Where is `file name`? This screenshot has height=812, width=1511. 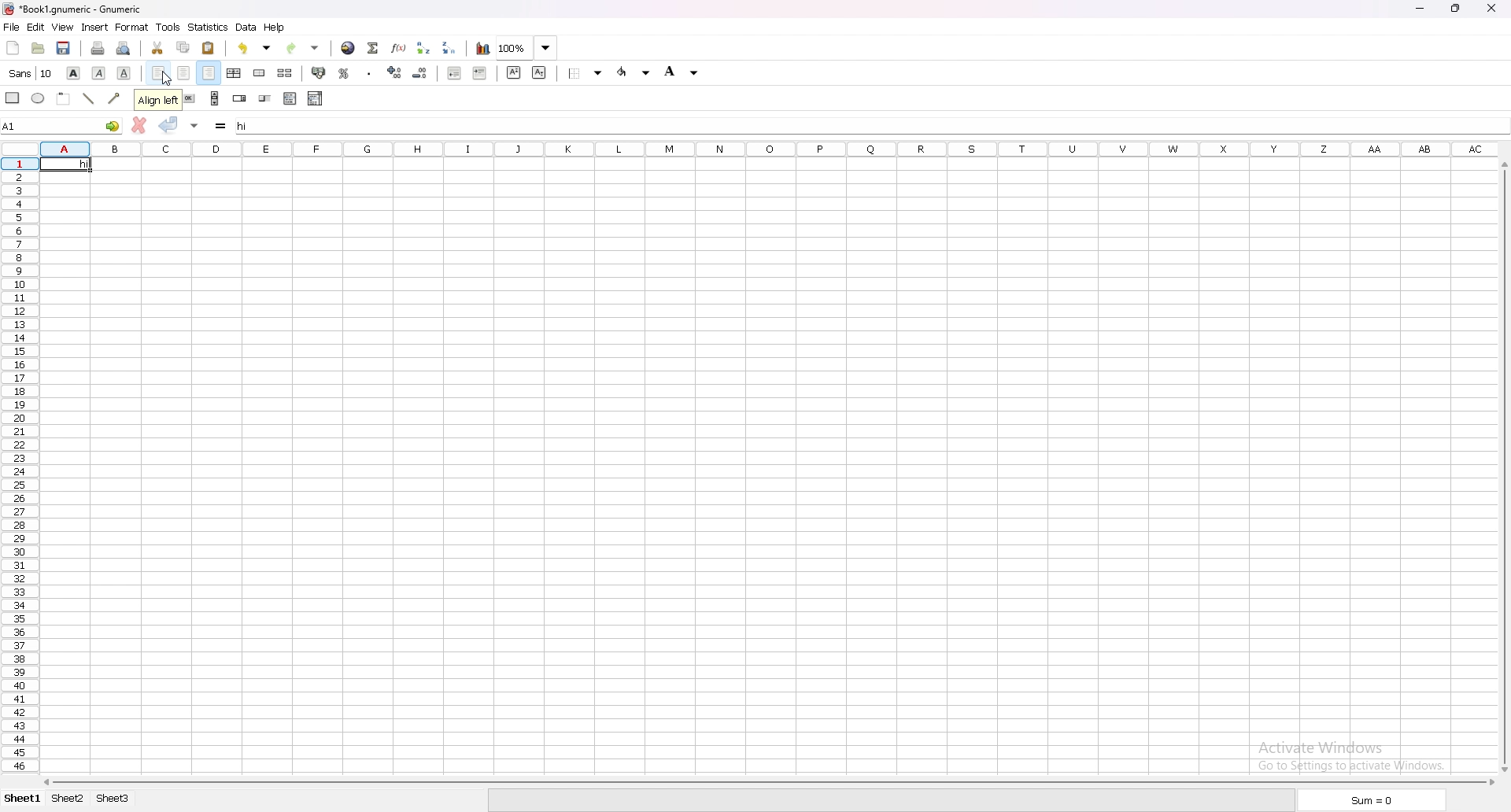
file name is located at coordinates (75, 9).